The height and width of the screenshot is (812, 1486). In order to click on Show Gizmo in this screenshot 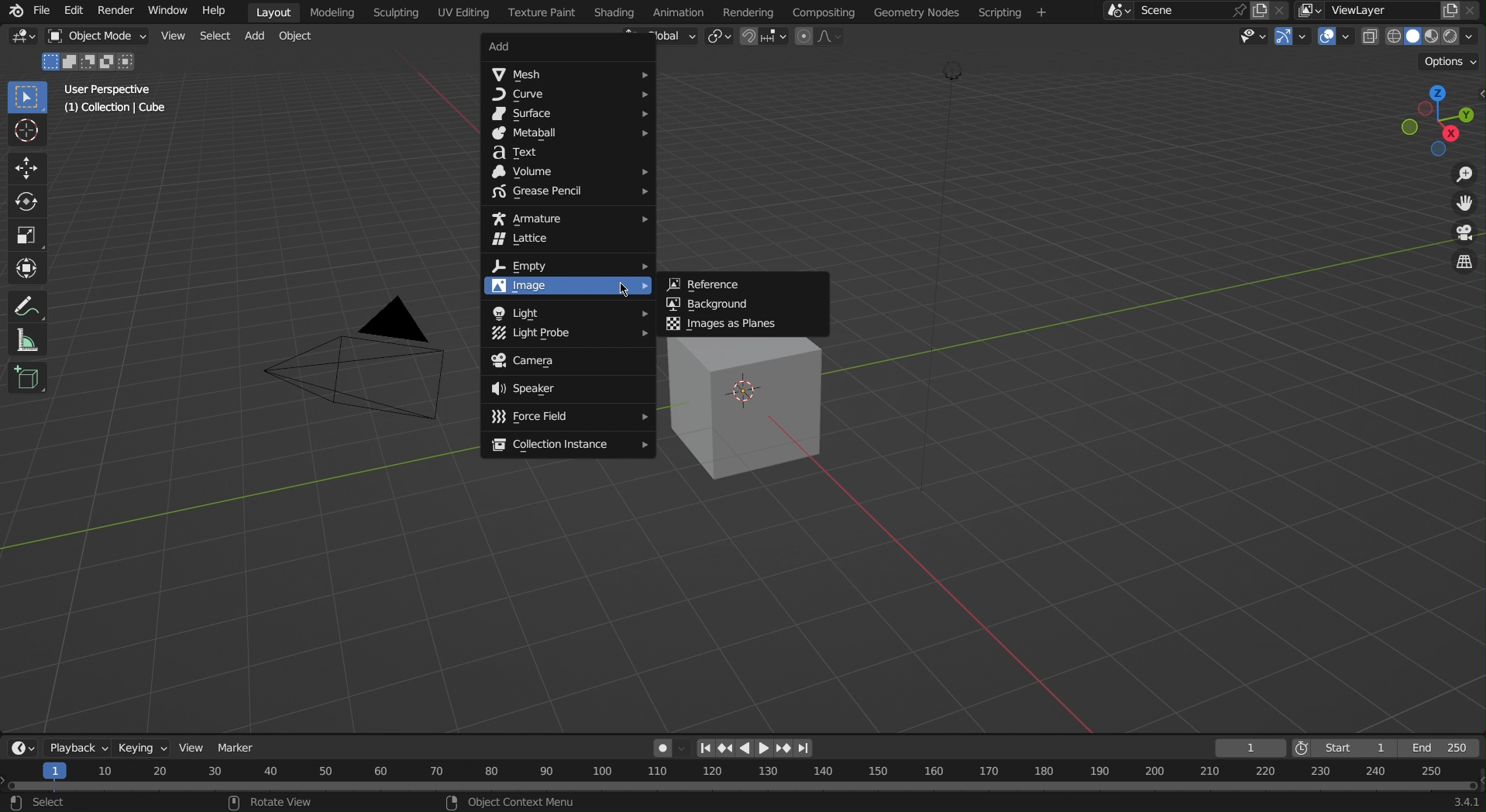, I will do `click(1292, 38)`.